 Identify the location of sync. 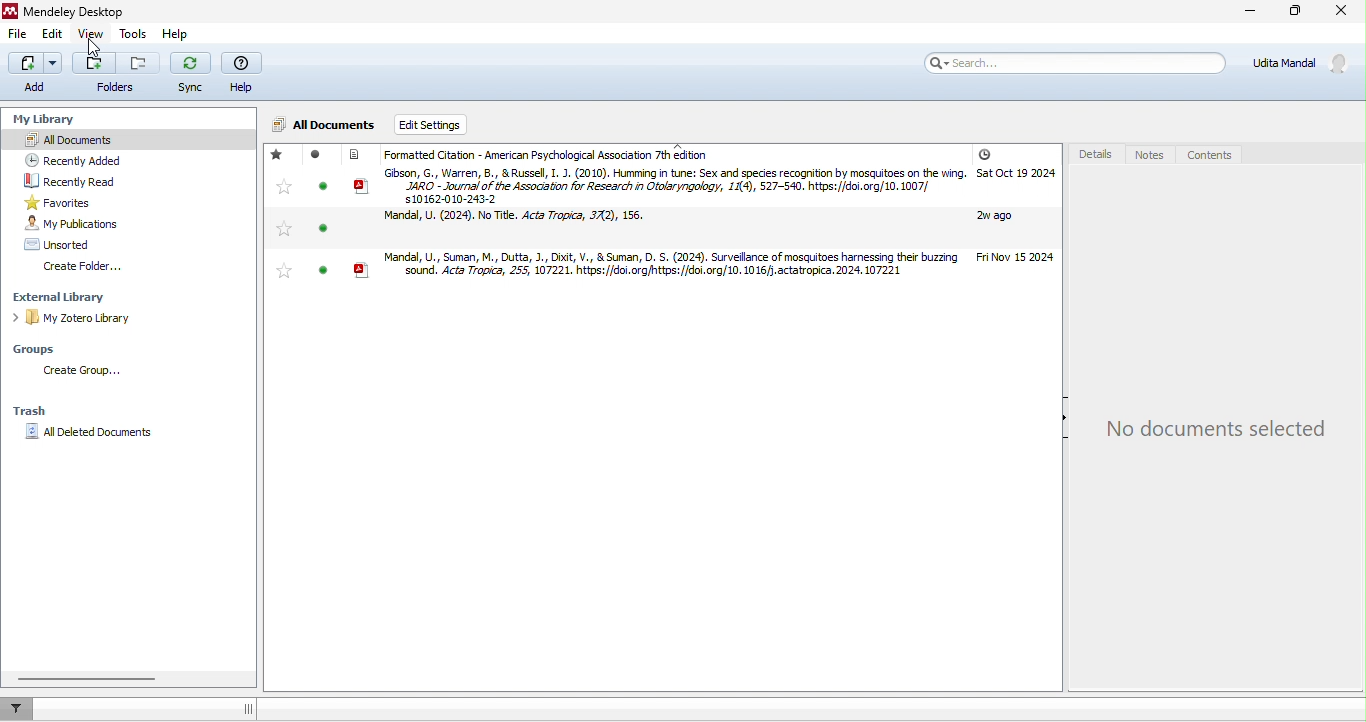
(190, 73).